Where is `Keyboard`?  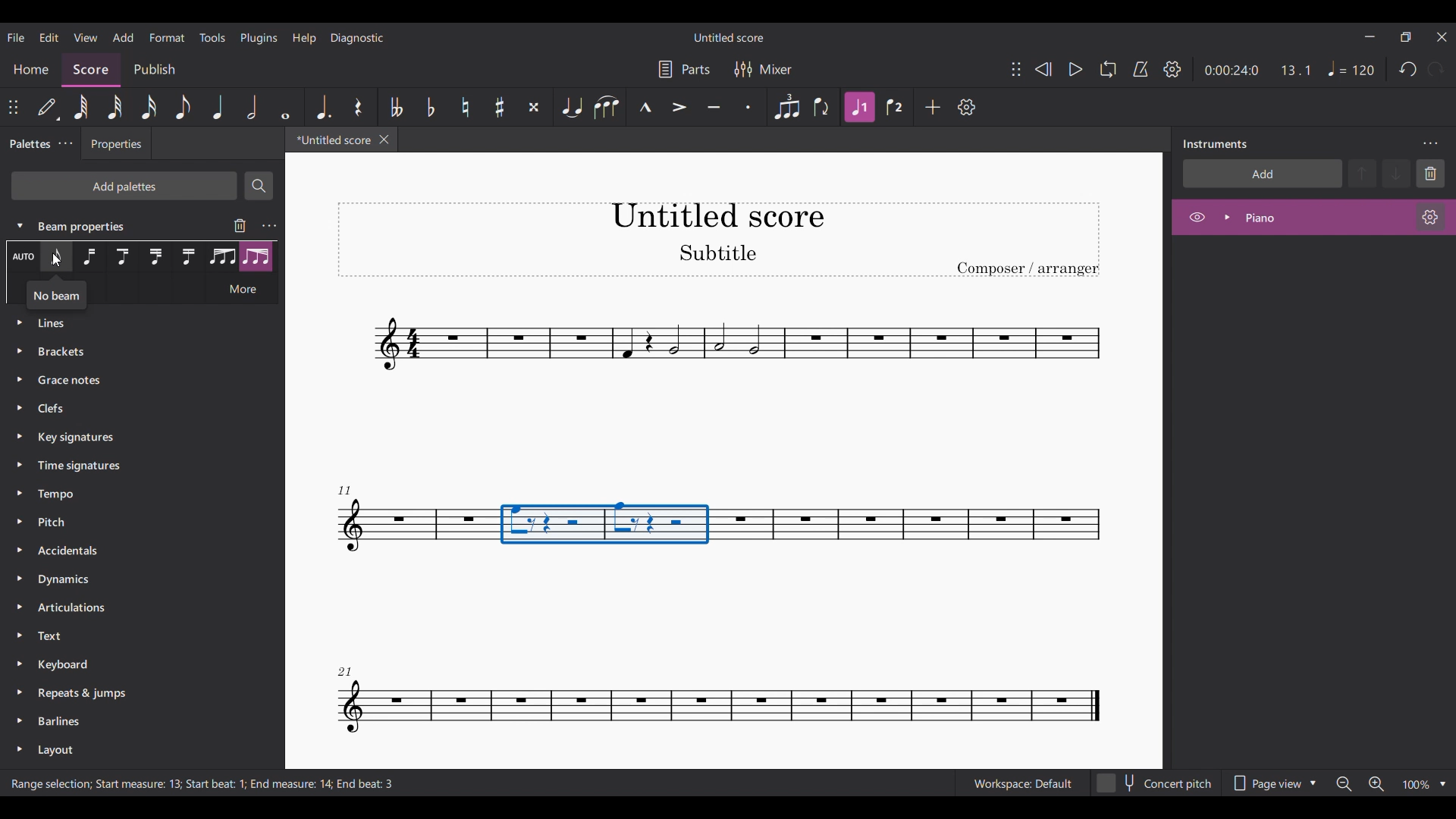 Keyboard is located at coordinates (129, 663).